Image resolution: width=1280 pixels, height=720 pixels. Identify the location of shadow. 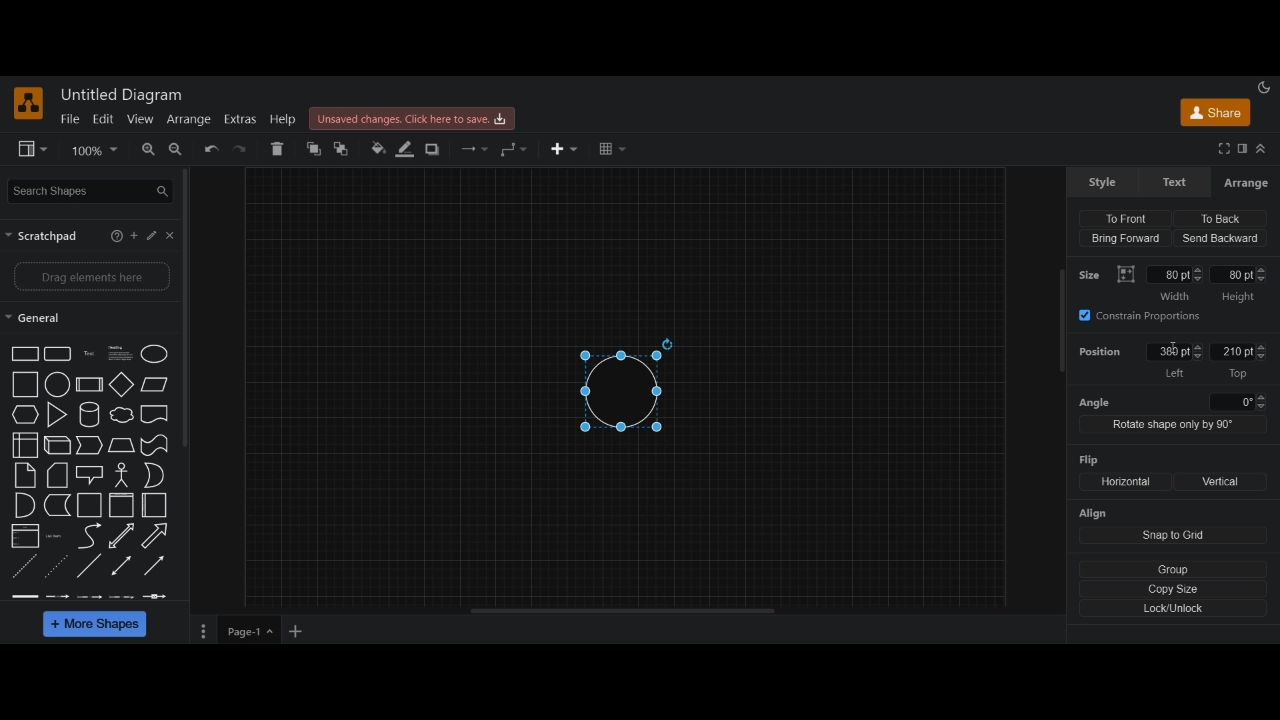
(435, 150).